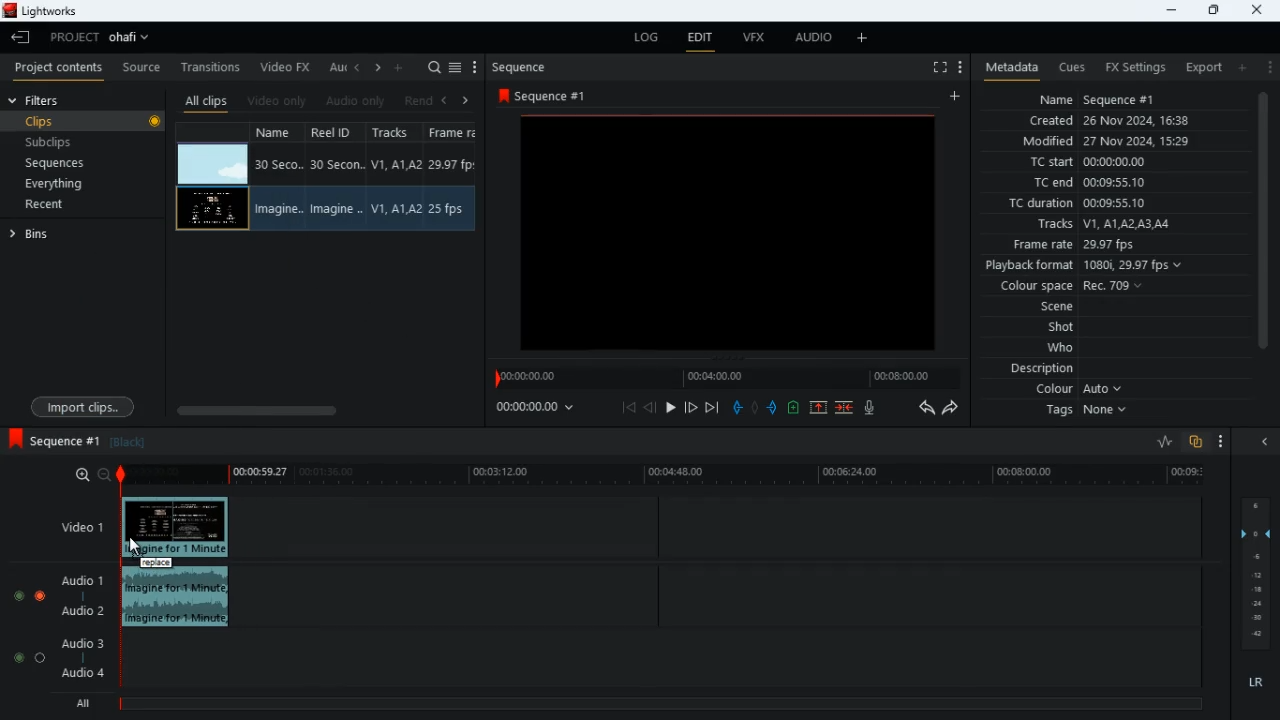 This screenshot has width=1280, height=720. What do you see at coordinates (729, 231) in the screenshot?
I see `screen` at bounding box center [729, 231].